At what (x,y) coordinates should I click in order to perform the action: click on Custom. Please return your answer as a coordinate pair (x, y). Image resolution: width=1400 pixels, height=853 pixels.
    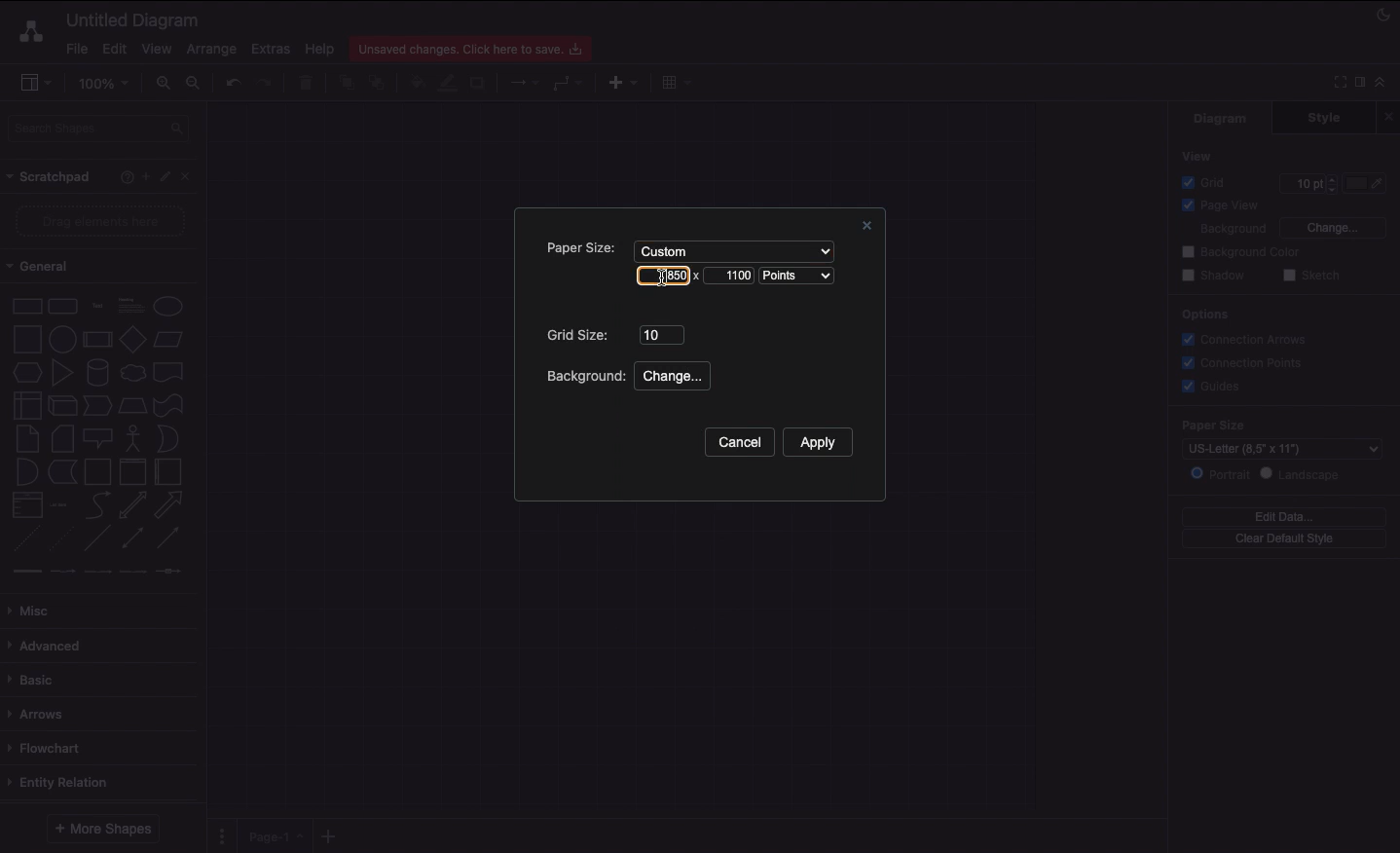
    Looking at the image, I should click on (731, 249).